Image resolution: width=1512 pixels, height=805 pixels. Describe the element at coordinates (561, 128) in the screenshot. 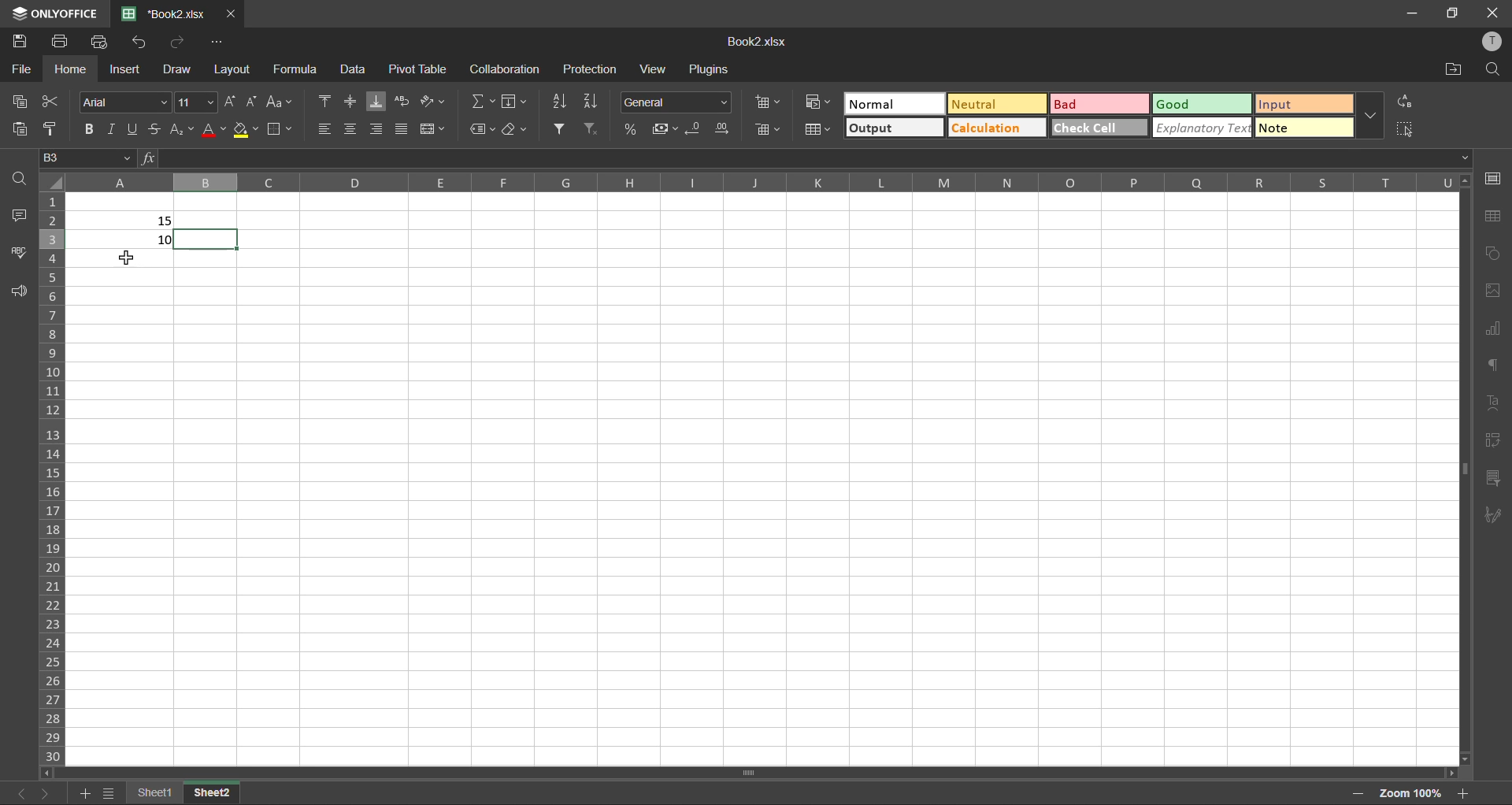

I see `filter` at that location.